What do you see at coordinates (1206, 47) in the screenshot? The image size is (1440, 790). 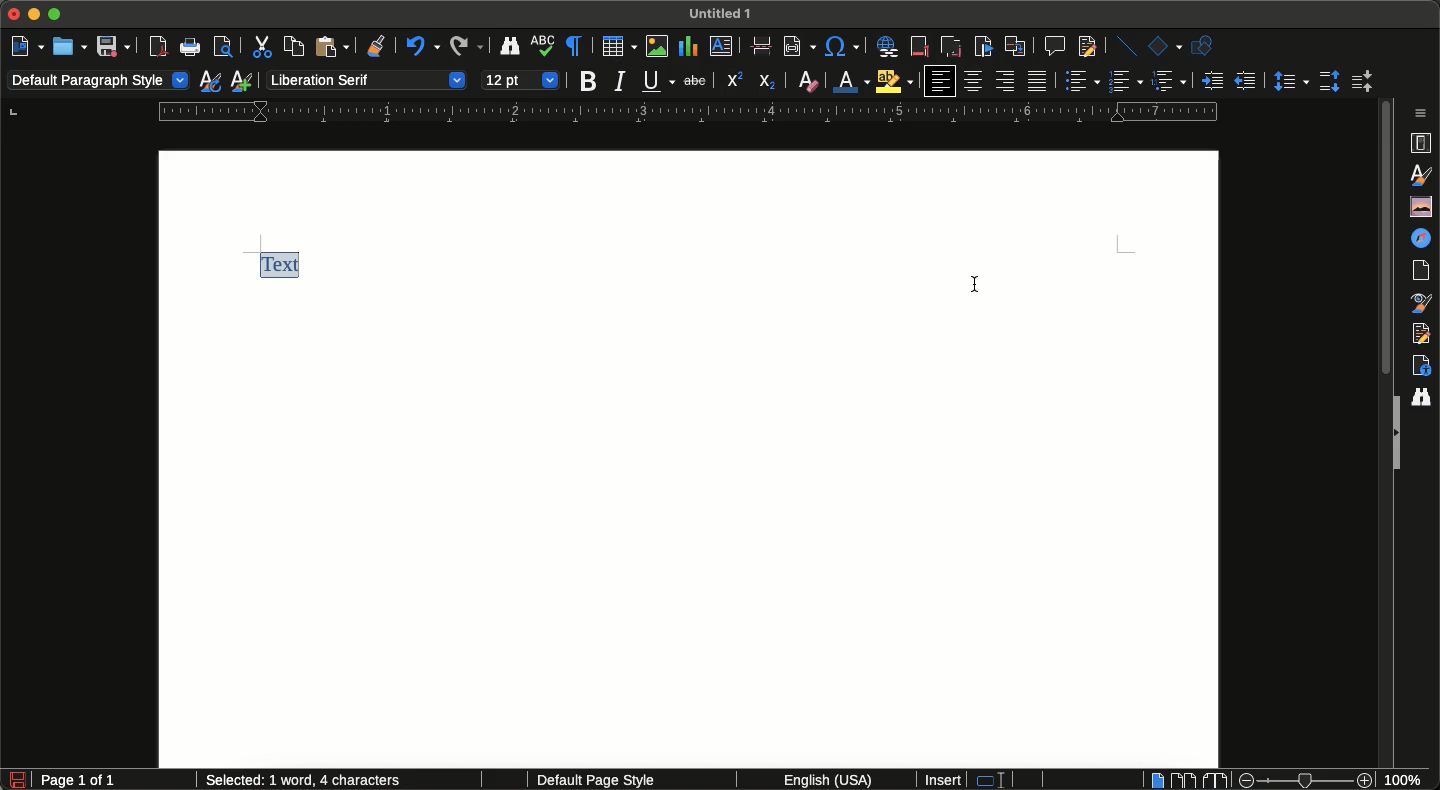 I see `Show draw functions` at bounding box center [1206, 47].